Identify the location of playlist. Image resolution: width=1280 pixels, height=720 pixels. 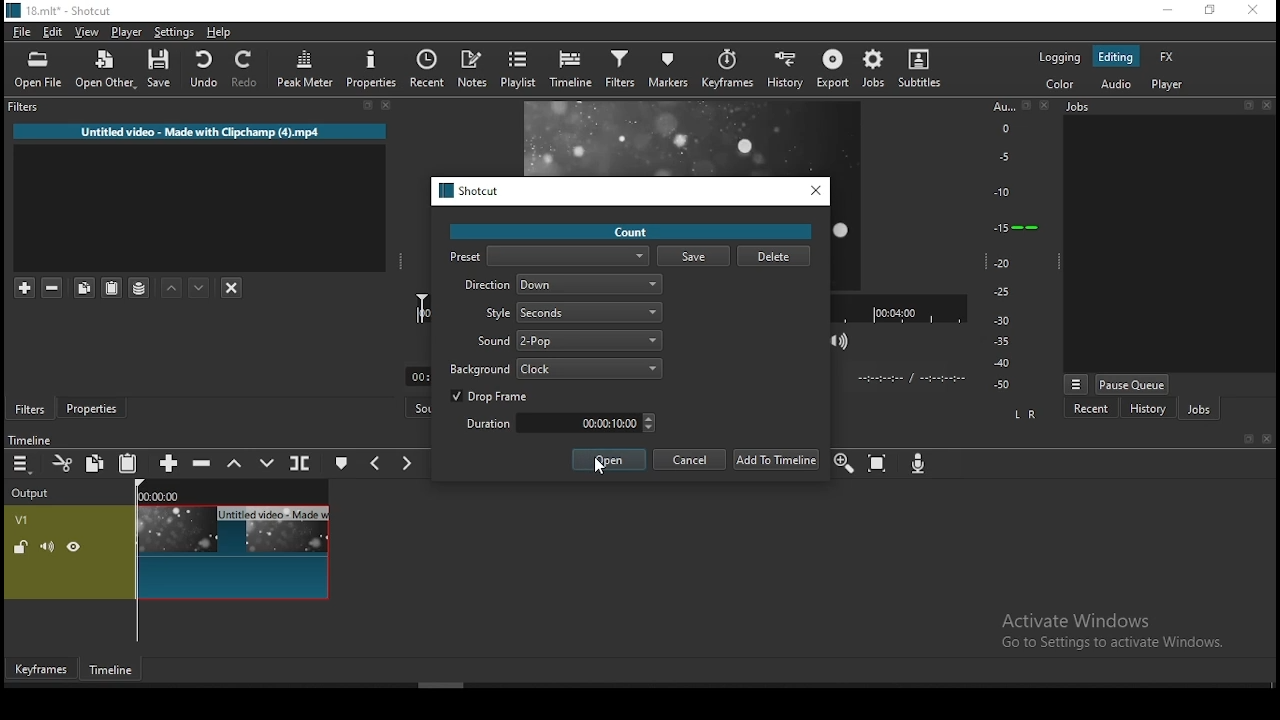
(519, 69).